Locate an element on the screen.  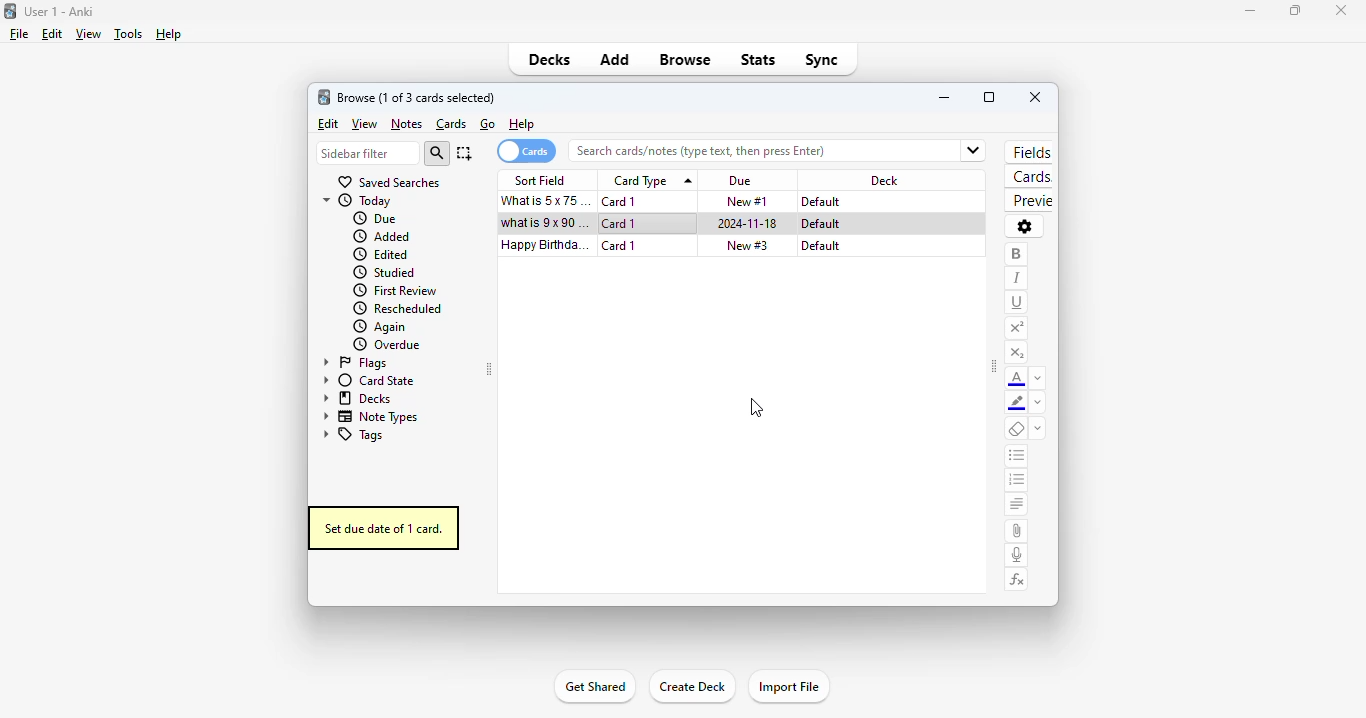
subscript is located at coordinates (1018, 355).